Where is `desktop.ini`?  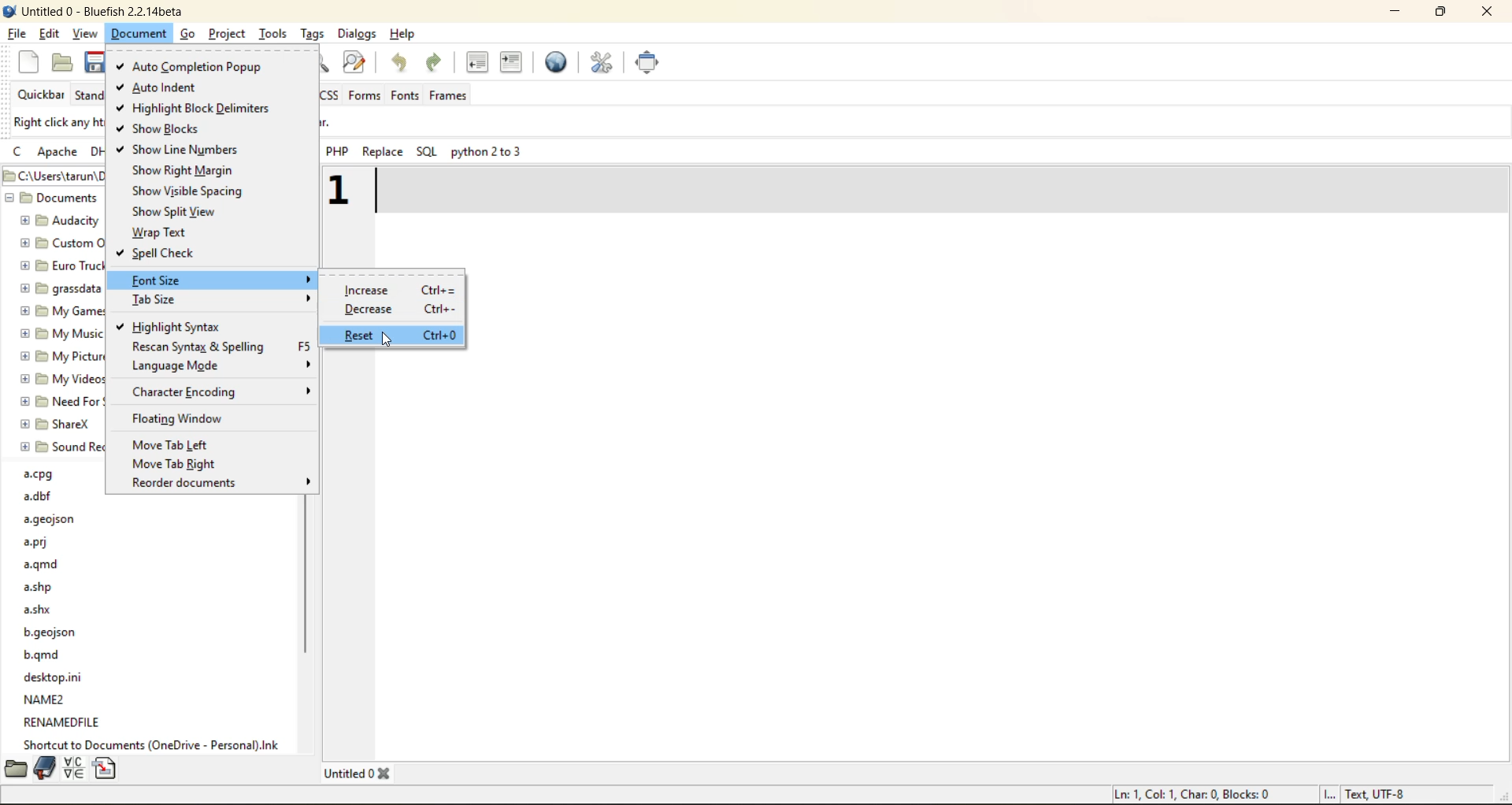
desktop.ini is located at coordinates (57, 677).